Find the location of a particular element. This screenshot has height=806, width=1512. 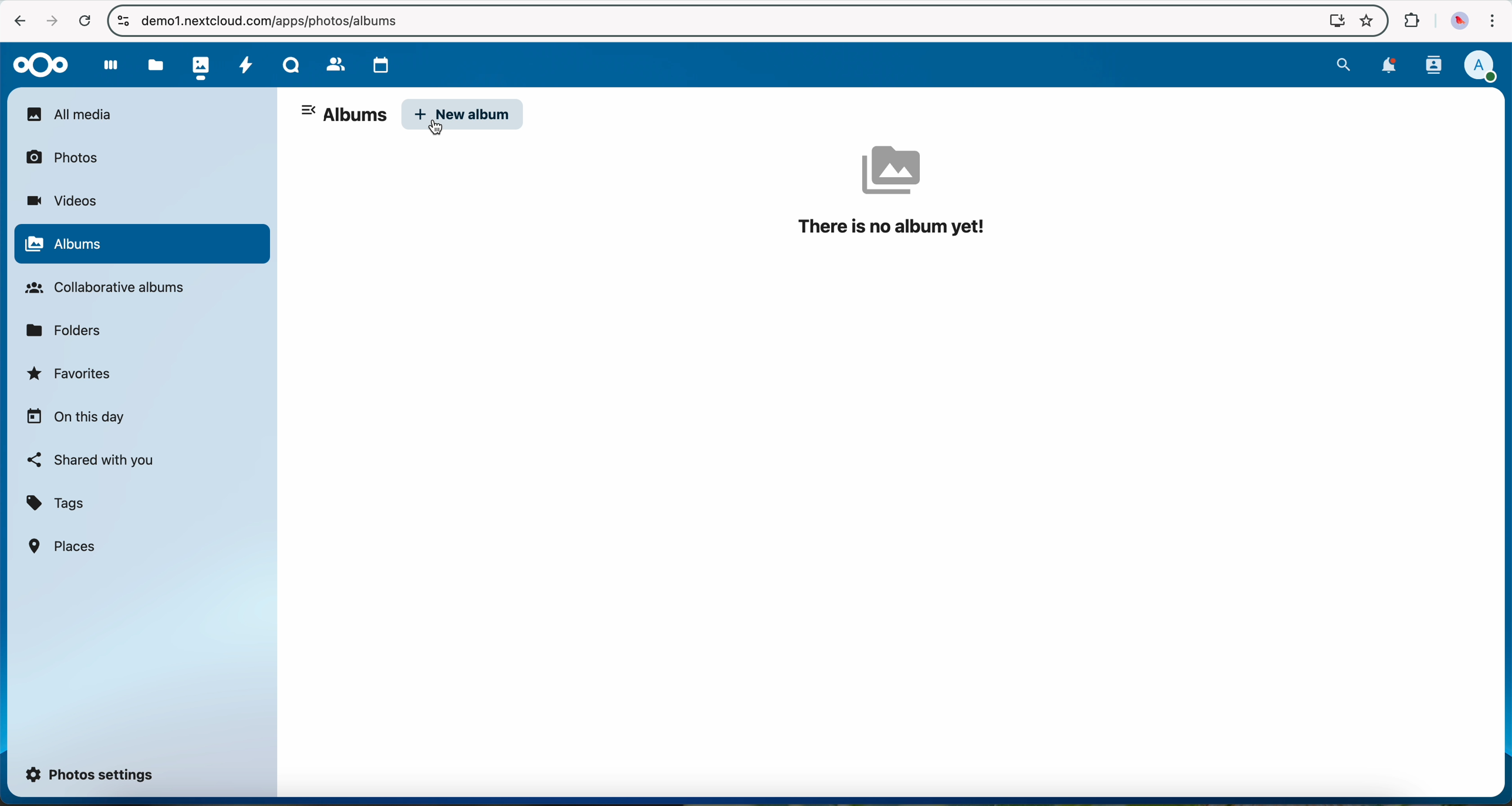

on this day is located at coordinates (76, 418).